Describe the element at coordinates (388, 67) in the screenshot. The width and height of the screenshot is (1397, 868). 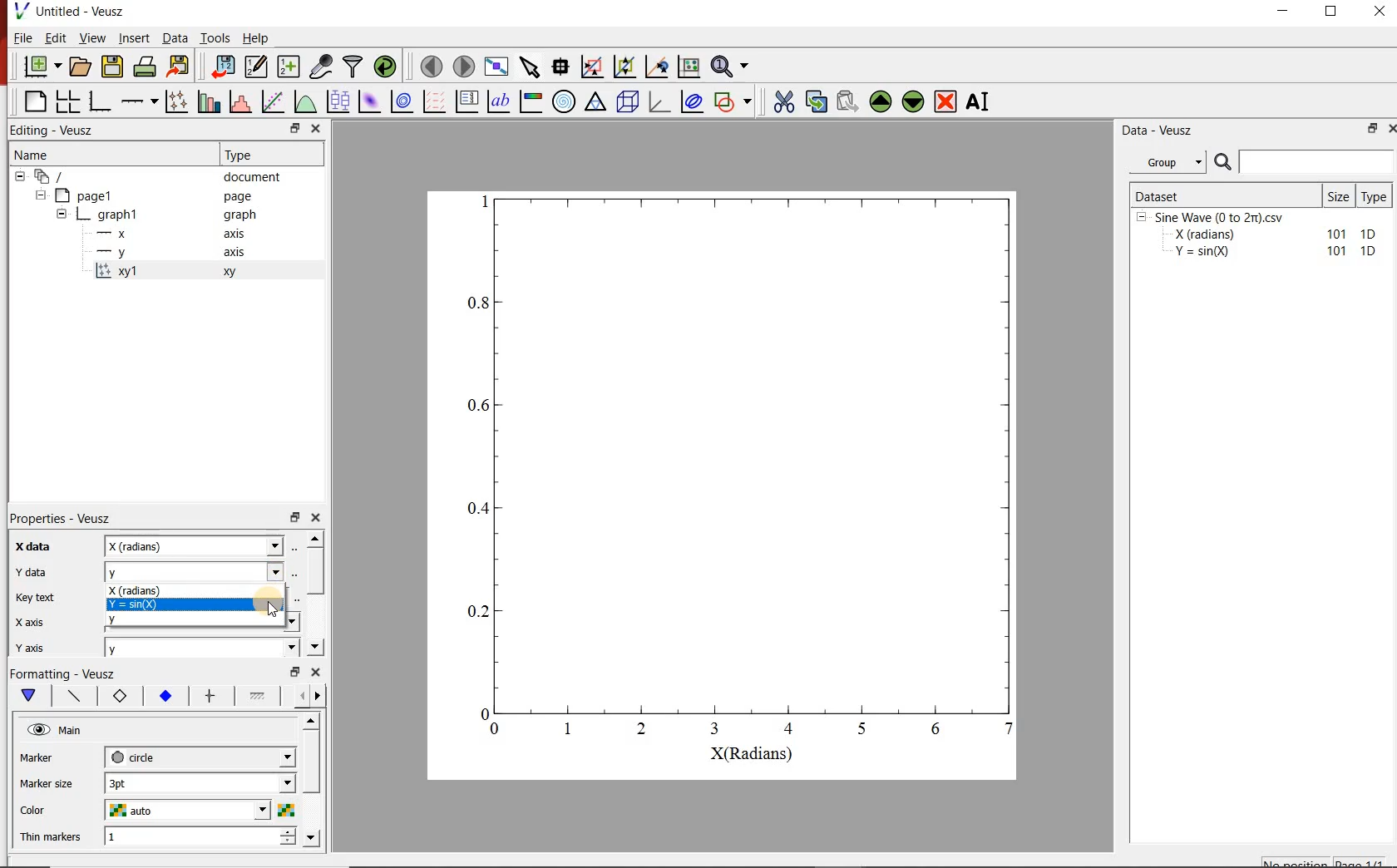
I see `reload linked datasets` at that location.